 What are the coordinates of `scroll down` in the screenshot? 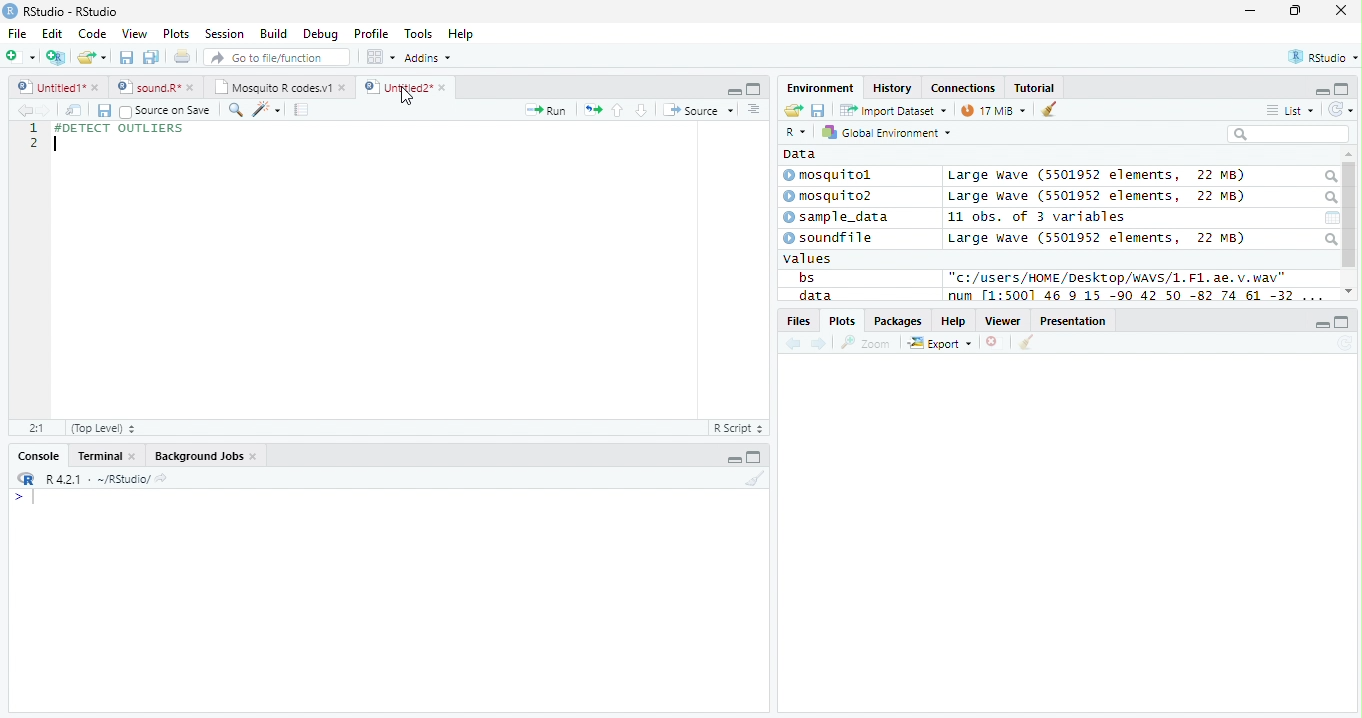 It's located at (1349, 291).